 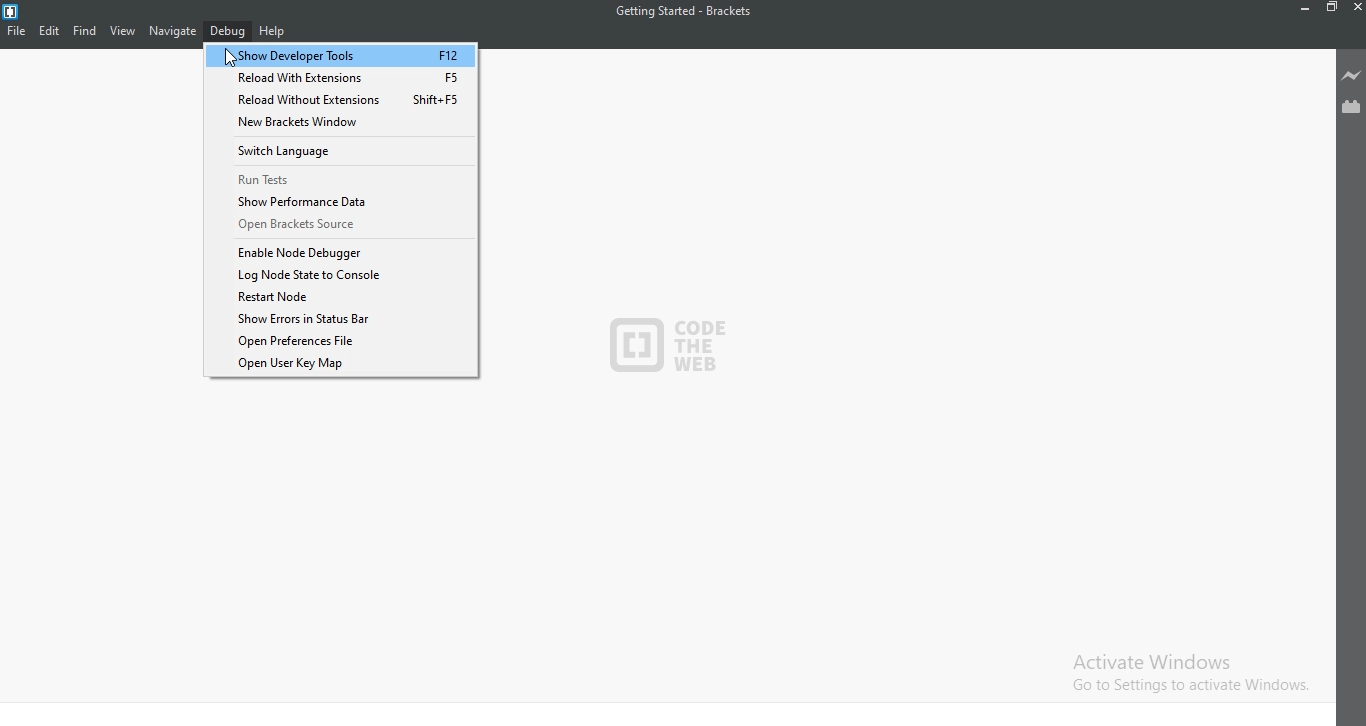 What do you see at coordinates (341, 297) in the screenshot?
I see `Restart node` at bounding box center [341, 297].